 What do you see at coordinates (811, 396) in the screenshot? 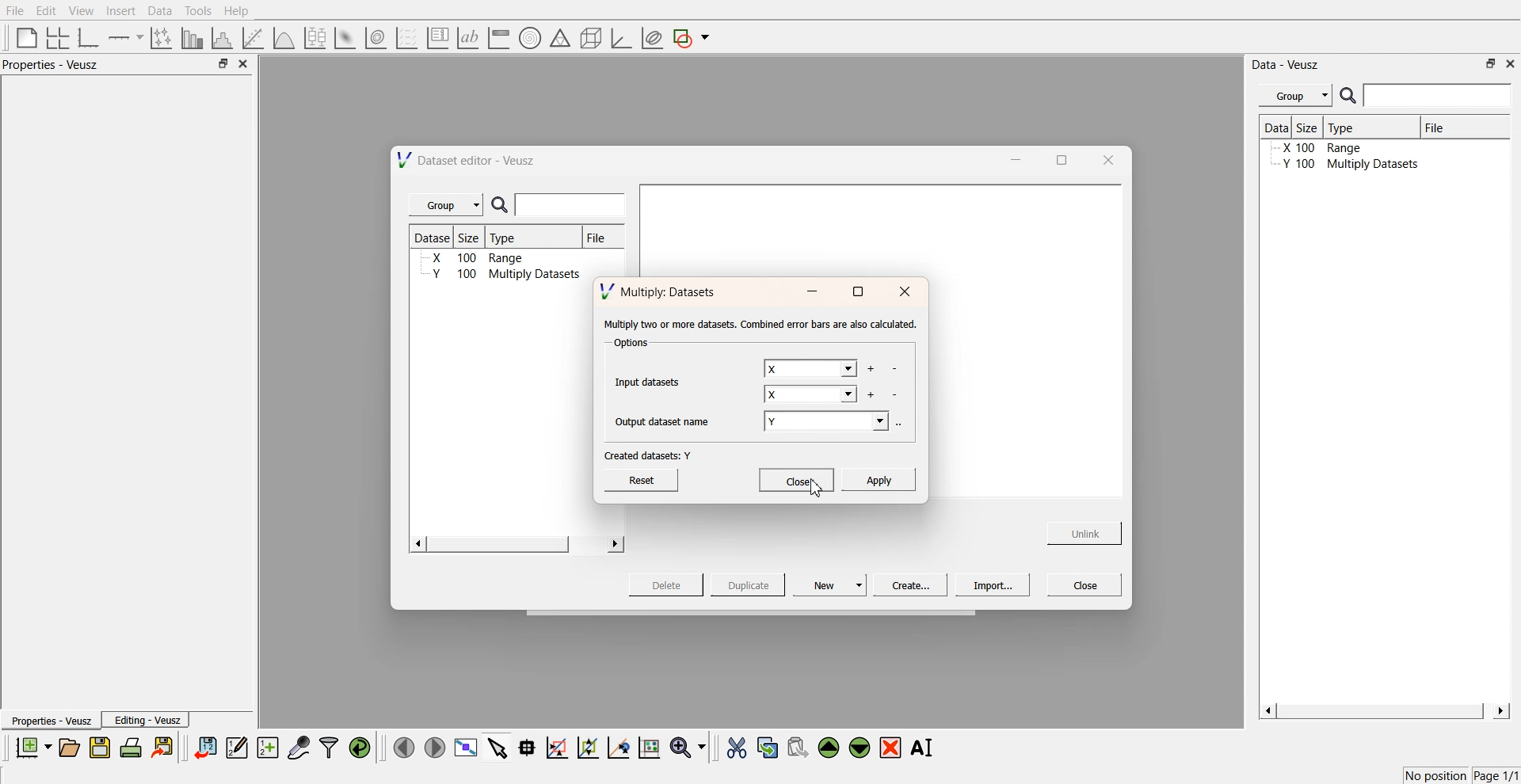
I see `X` at bounding box center [811, 396].